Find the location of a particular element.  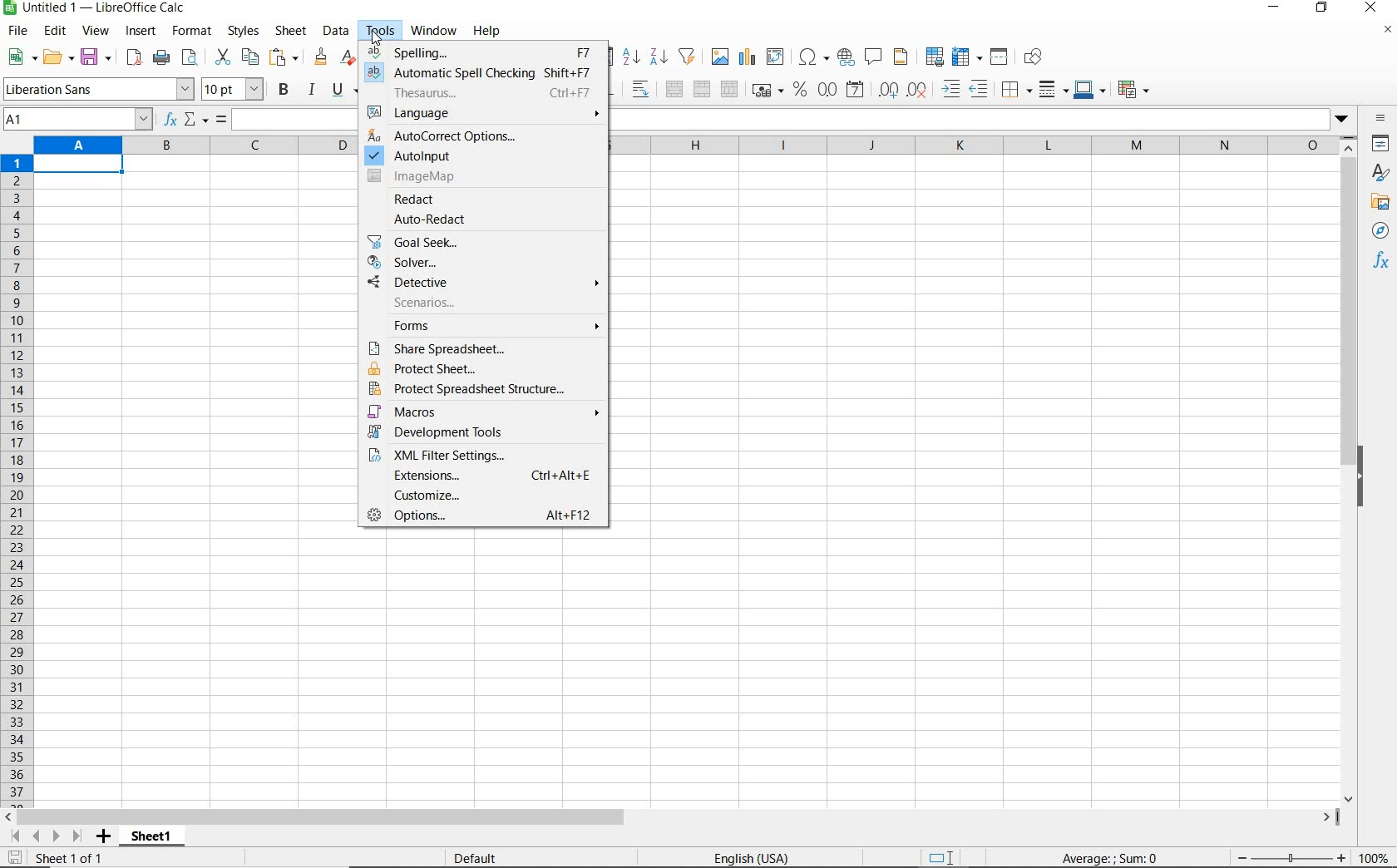

insert image is located at coordinates (718, 56).